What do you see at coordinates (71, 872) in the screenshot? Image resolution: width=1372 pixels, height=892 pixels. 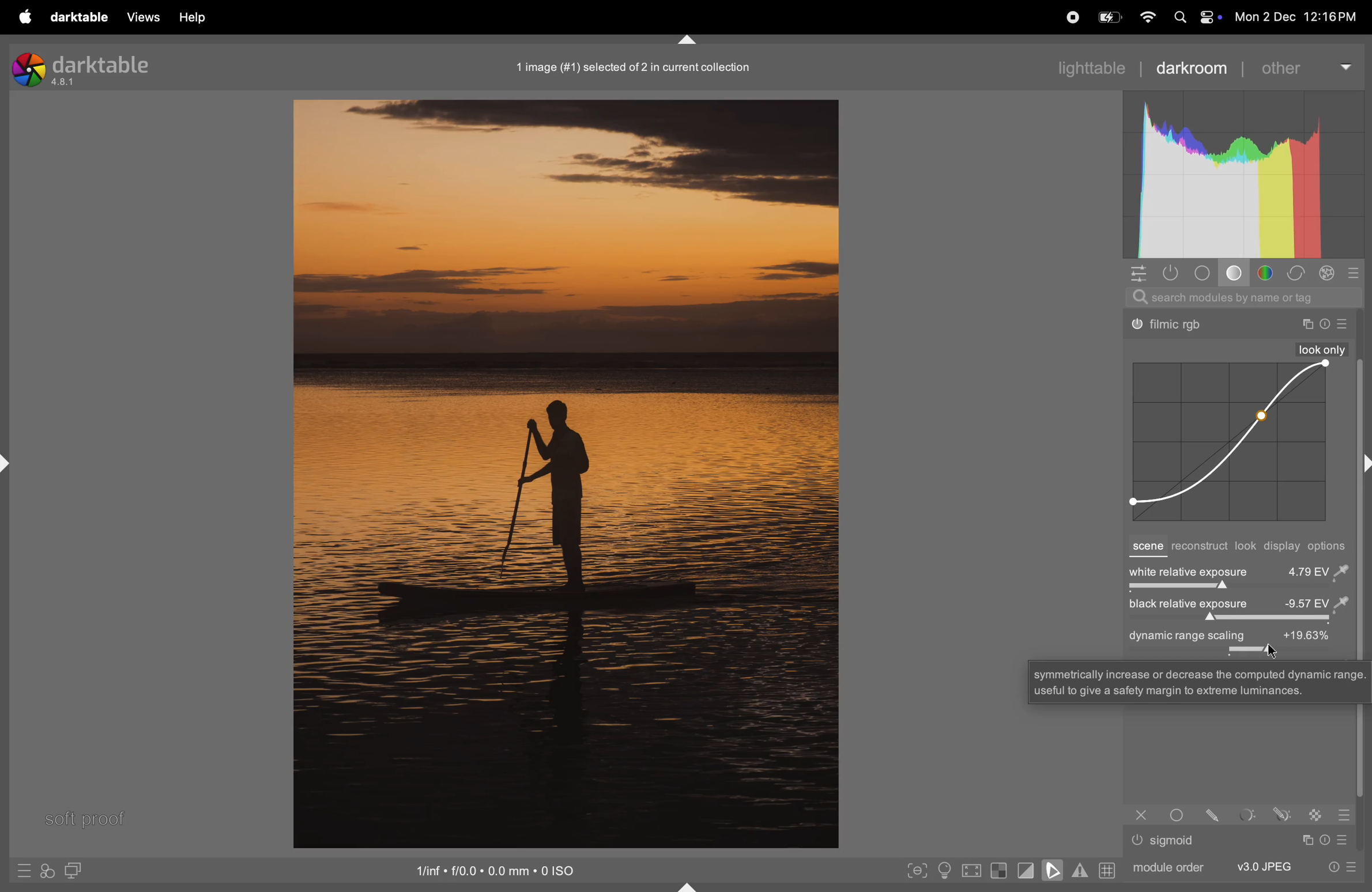 I see `double window` at bounding box center [71, 872].